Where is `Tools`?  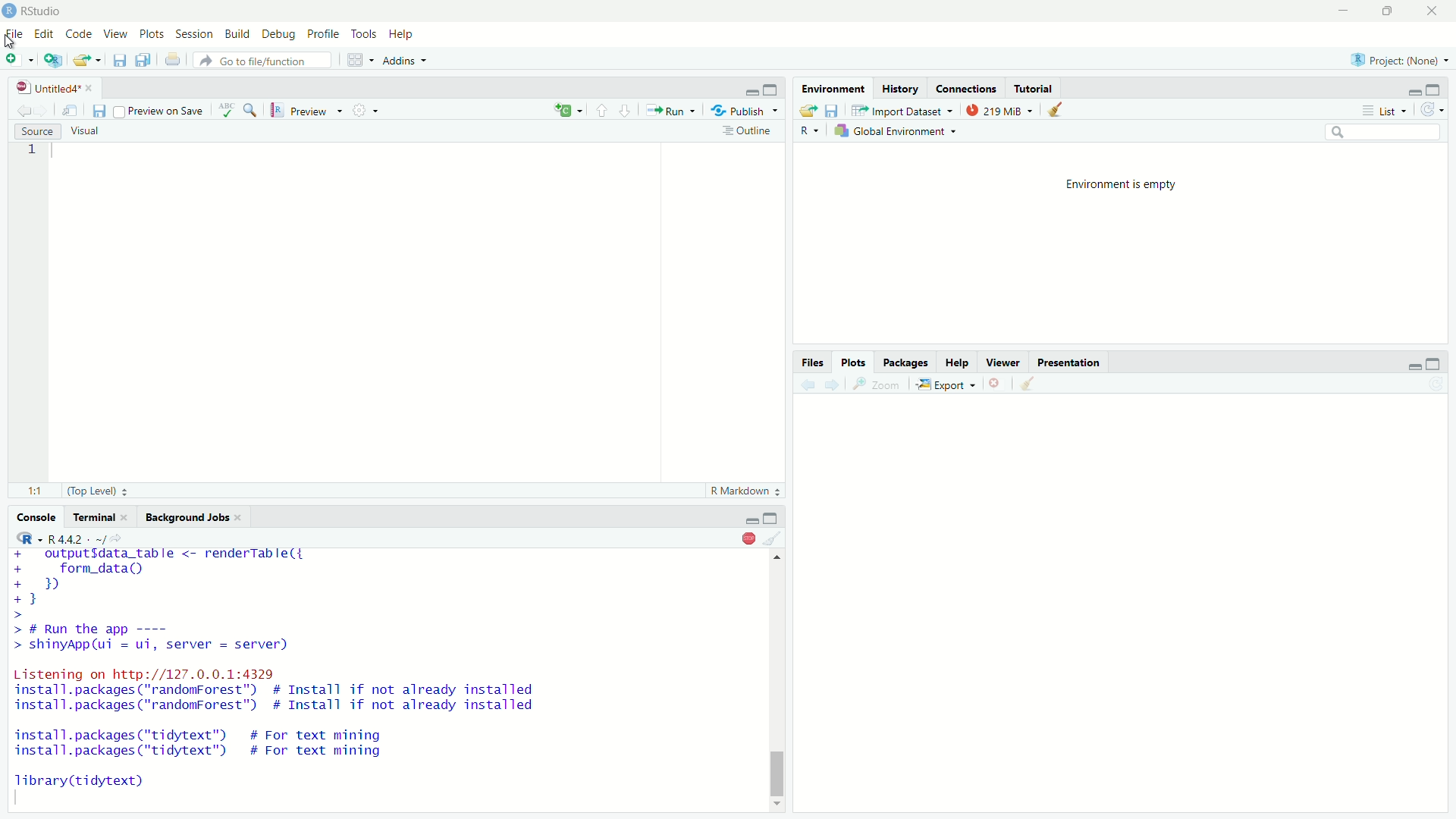
Tools is located at coordinates (362, 34).